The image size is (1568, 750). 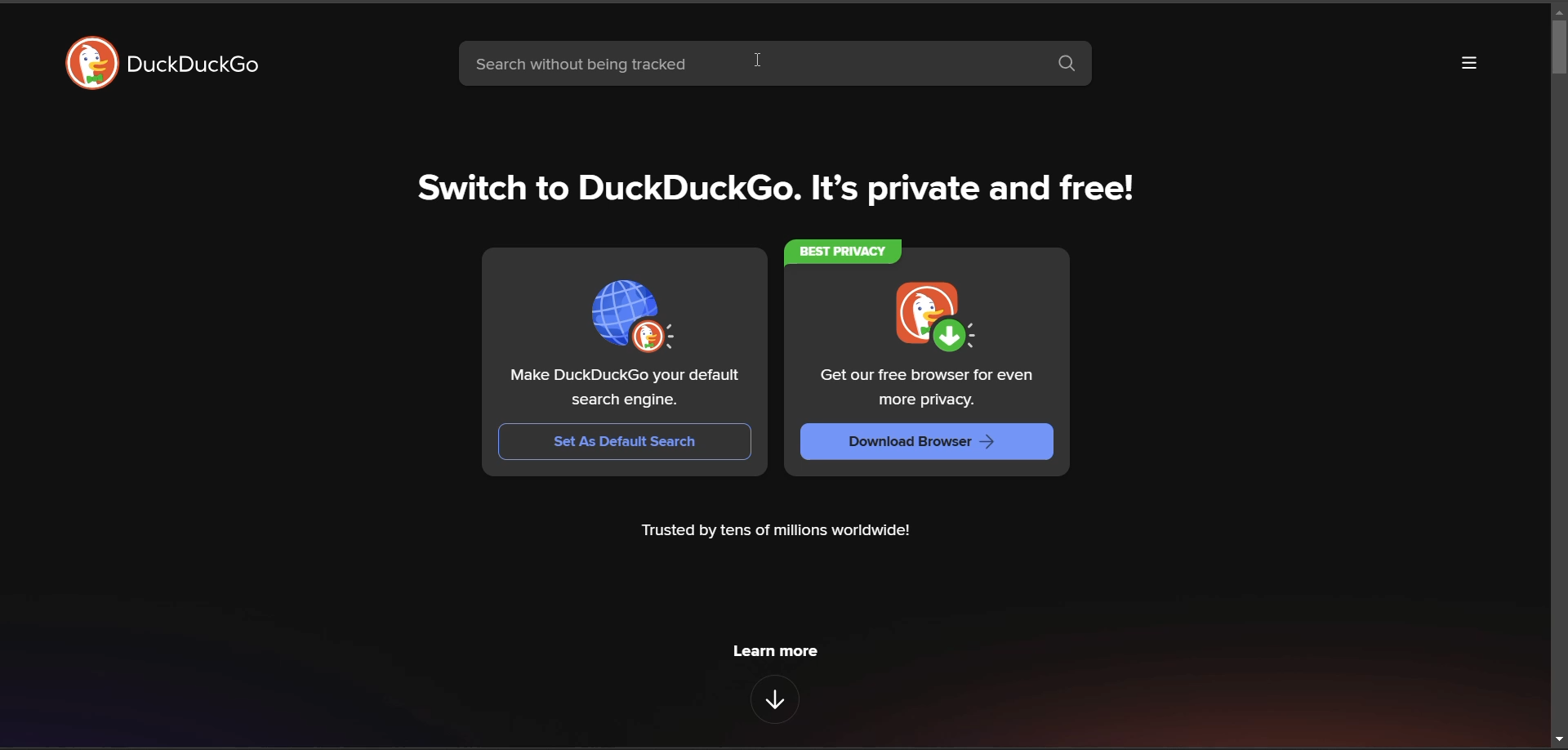 What do you see at coordinates (89, 67) in the screenshot?
I see `DuckDuckGo Logo` at bounding box center [89, 67].